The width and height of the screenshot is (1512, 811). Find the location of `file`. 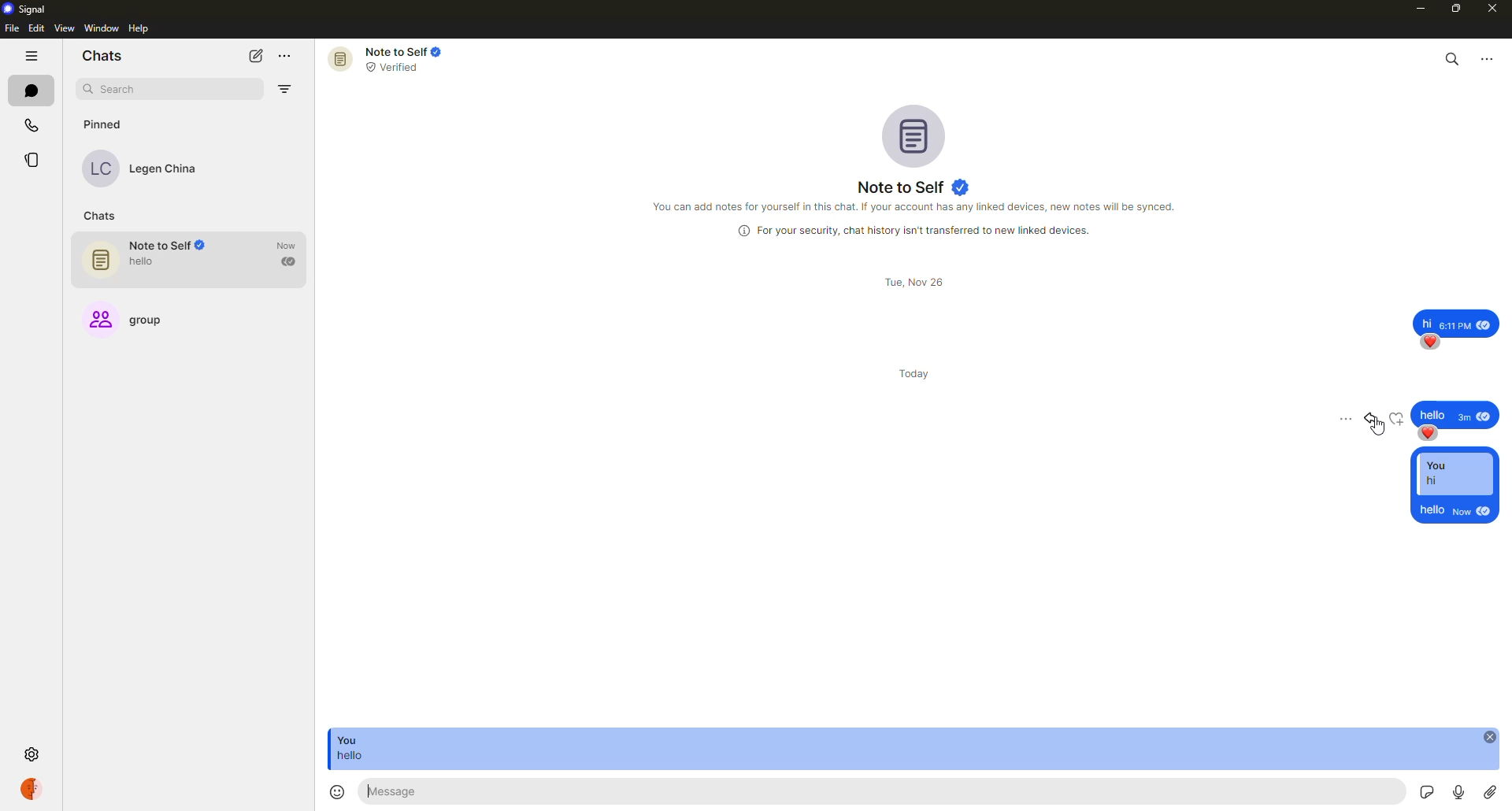

file is located at coordinates (13, 28).